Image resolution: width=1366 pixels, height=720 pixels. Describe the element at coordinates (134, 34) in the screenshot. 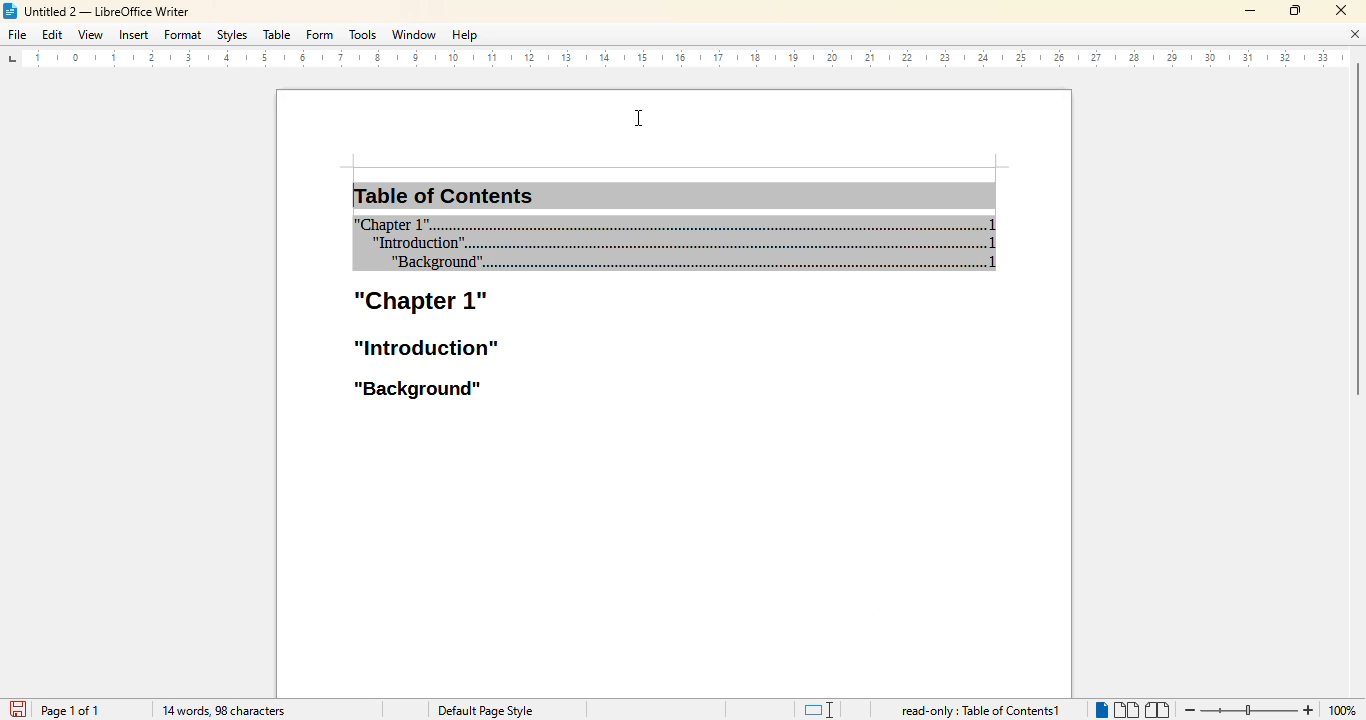

I see `insert` at that location.